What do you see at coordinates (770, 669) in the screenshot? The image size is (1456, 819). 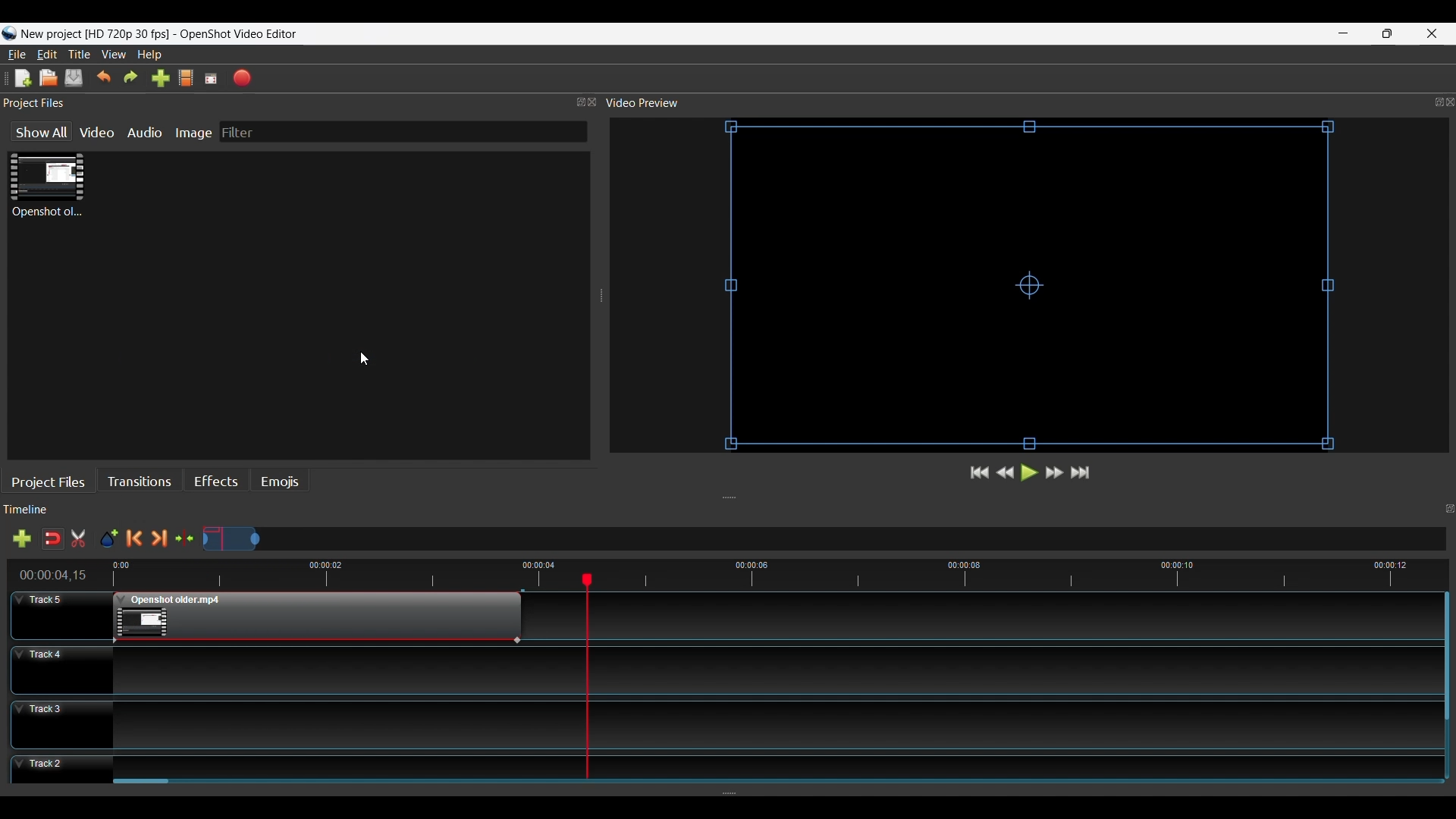 I see `Track Panel` at bounding box center [770, 669].